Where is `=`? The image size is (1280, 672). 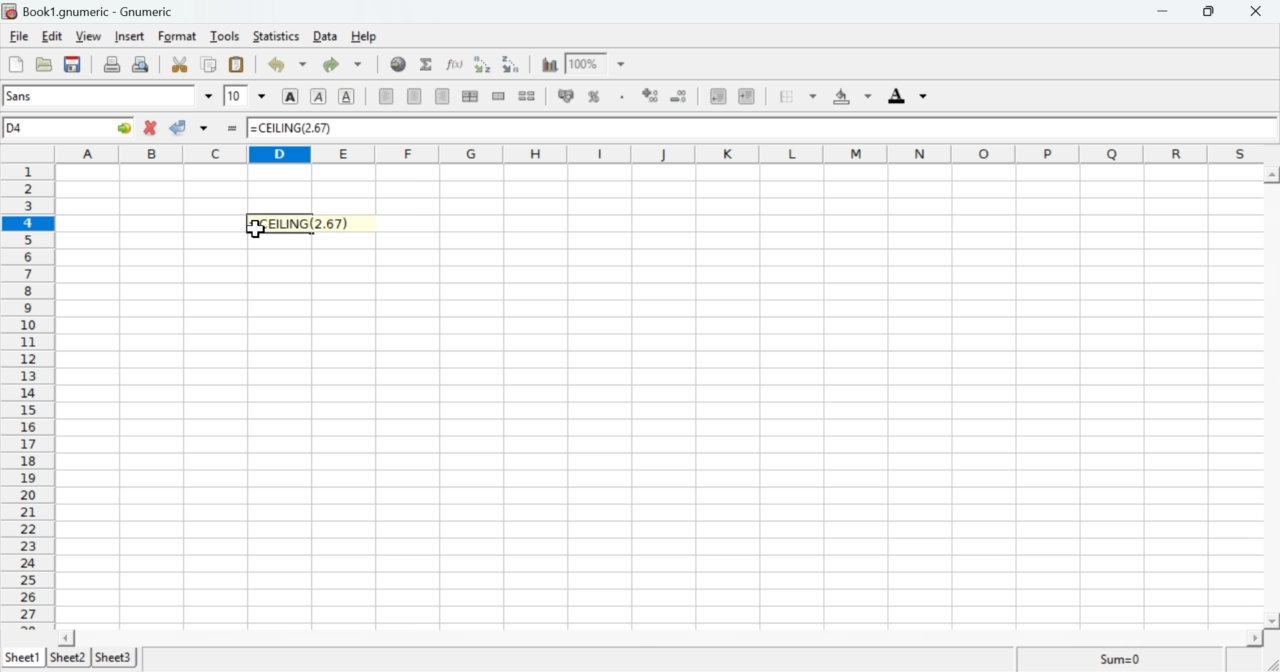 = is located at coordinates (231, 130).